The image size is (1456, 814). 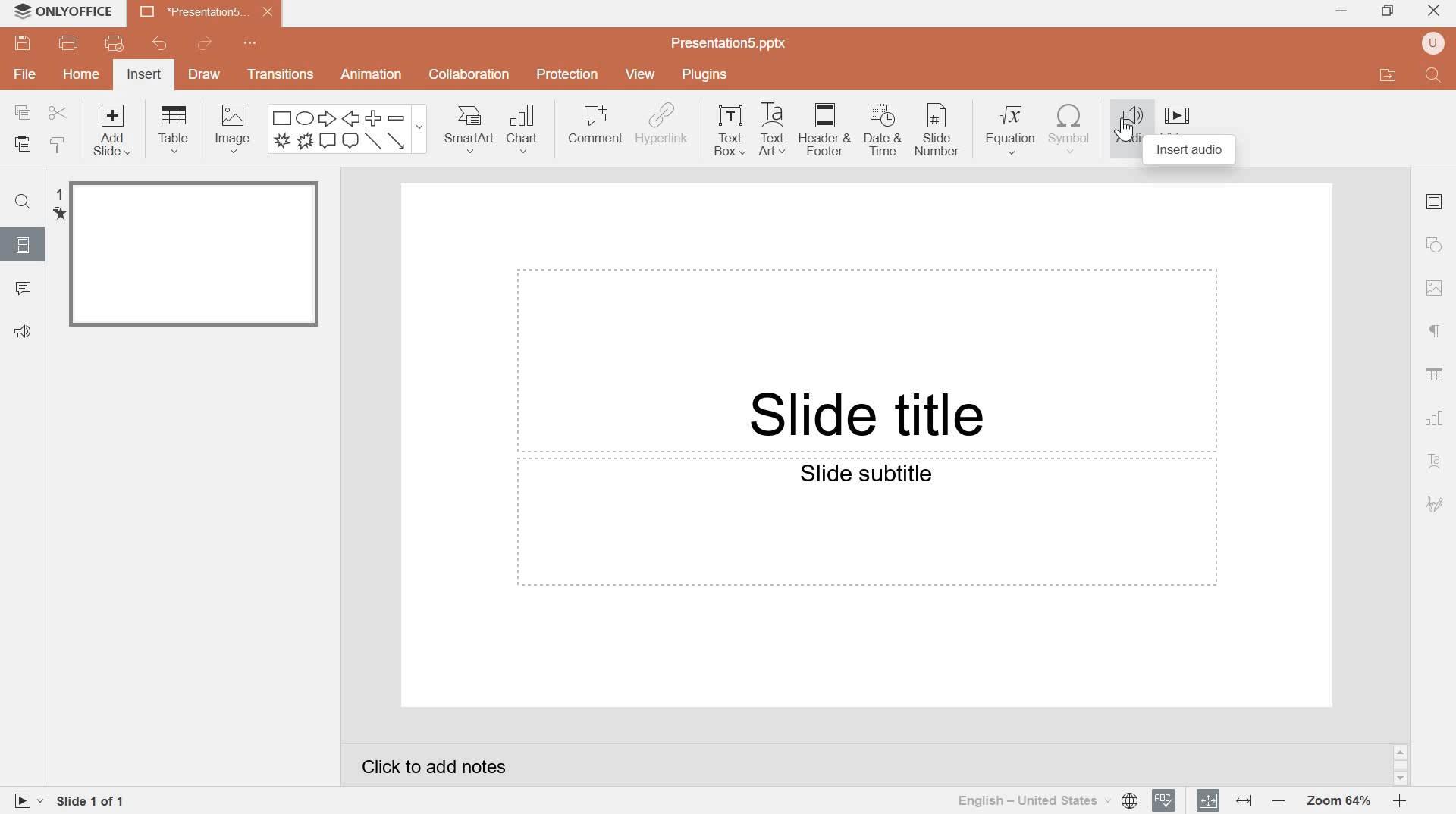 I want to click on zoom out, so click(x=1276, y=800).